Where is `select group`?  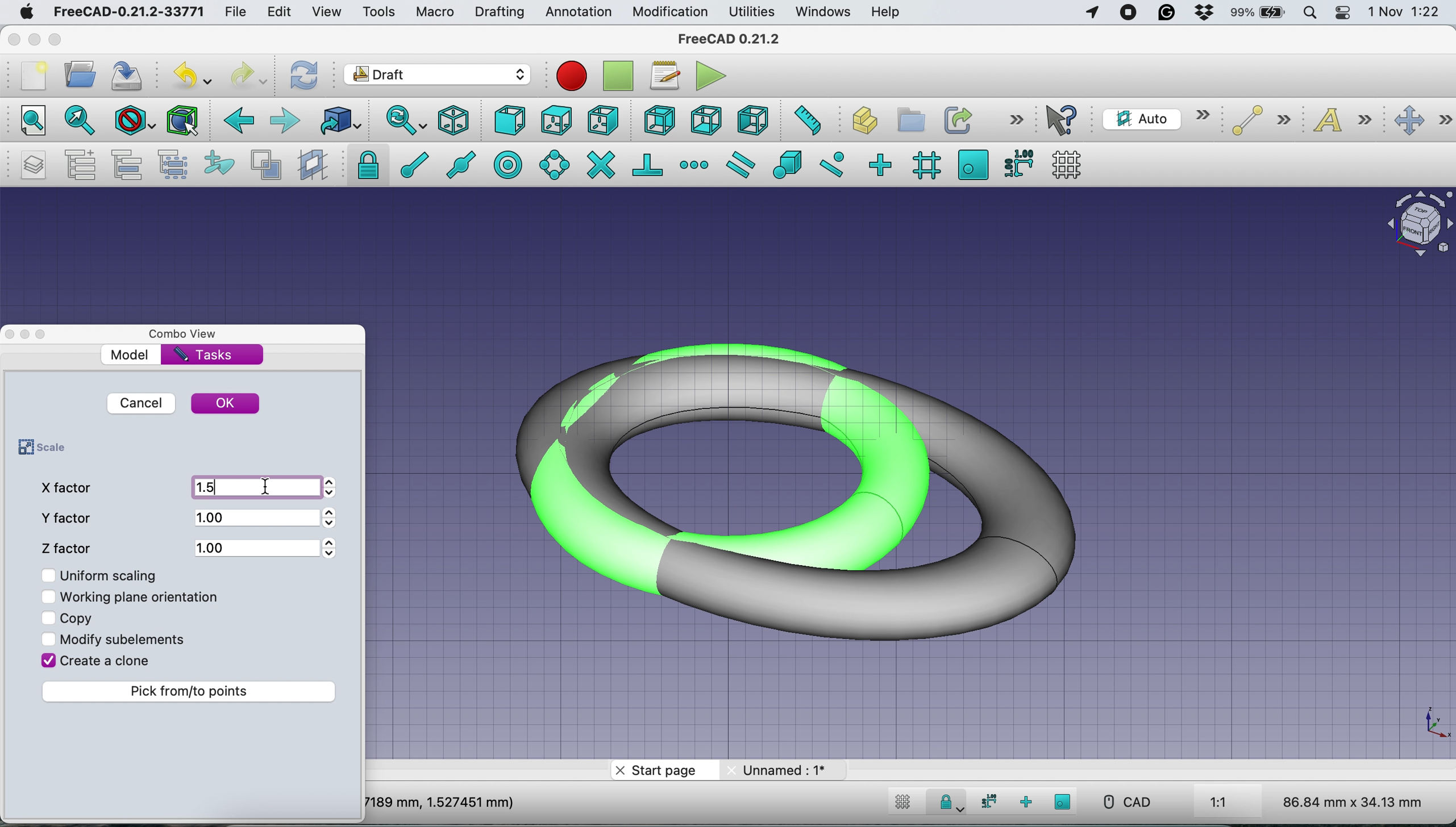 select group is located at coordinates (177, 165).